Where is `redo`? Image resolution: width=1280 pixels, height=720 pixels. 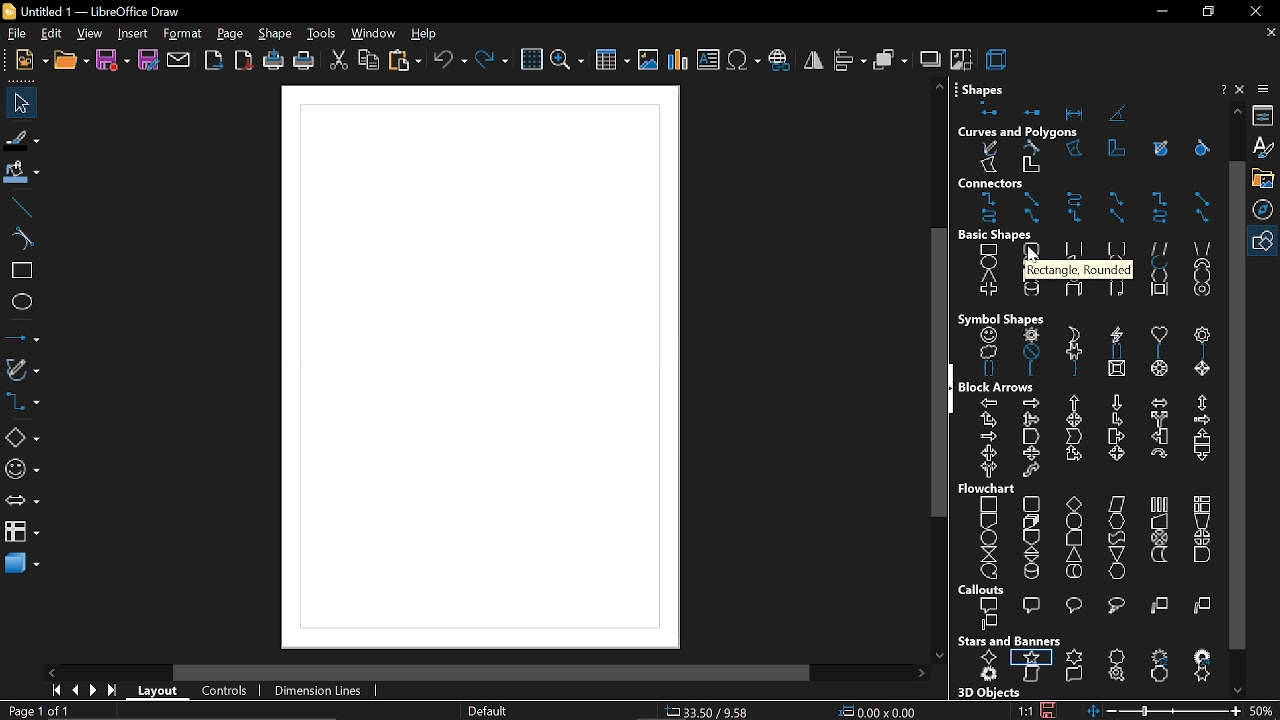
redo is located at coordinates (493, 62).